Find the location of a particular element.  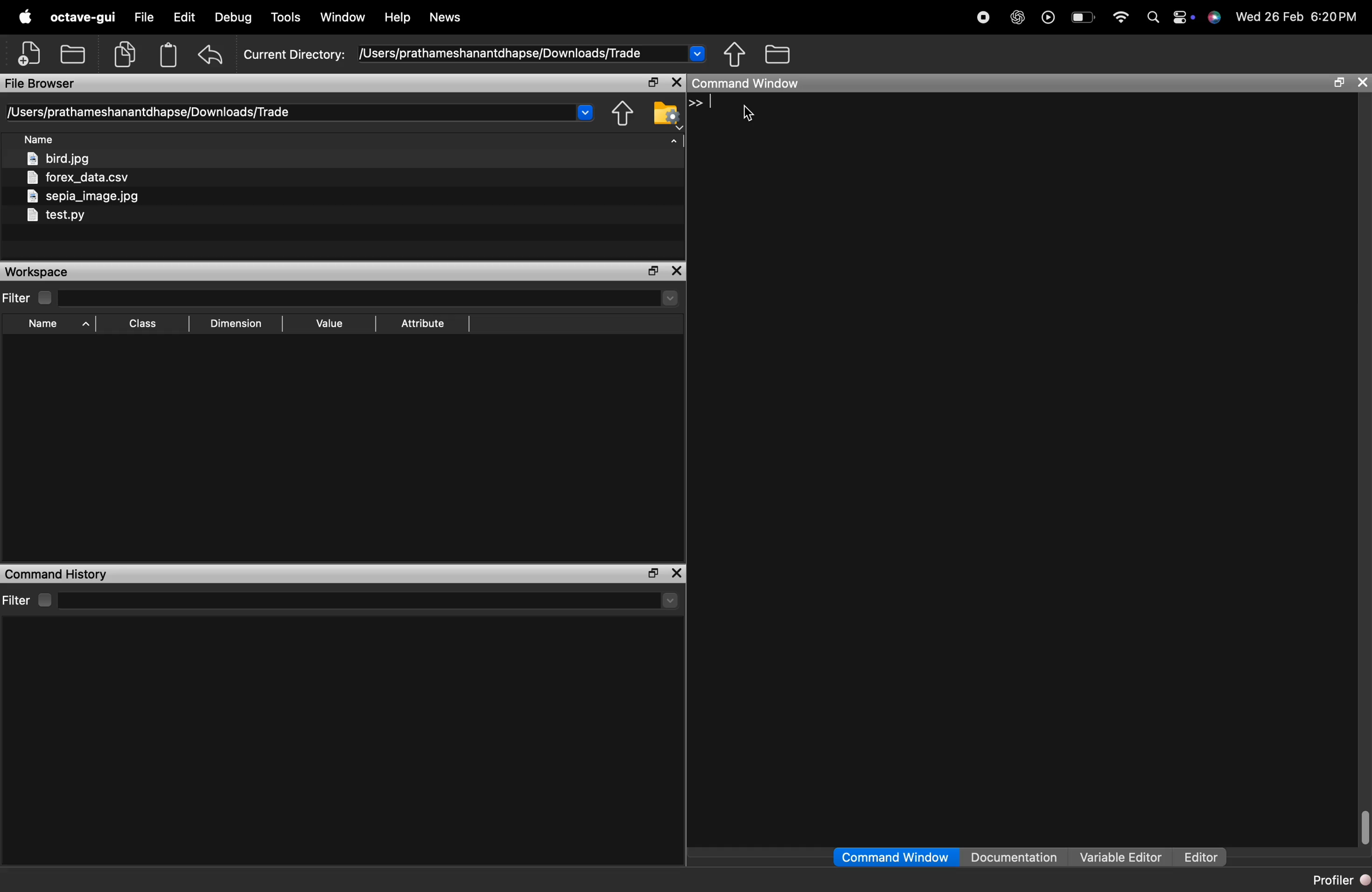

Variable Editor is located at coordinates (1122, 856).